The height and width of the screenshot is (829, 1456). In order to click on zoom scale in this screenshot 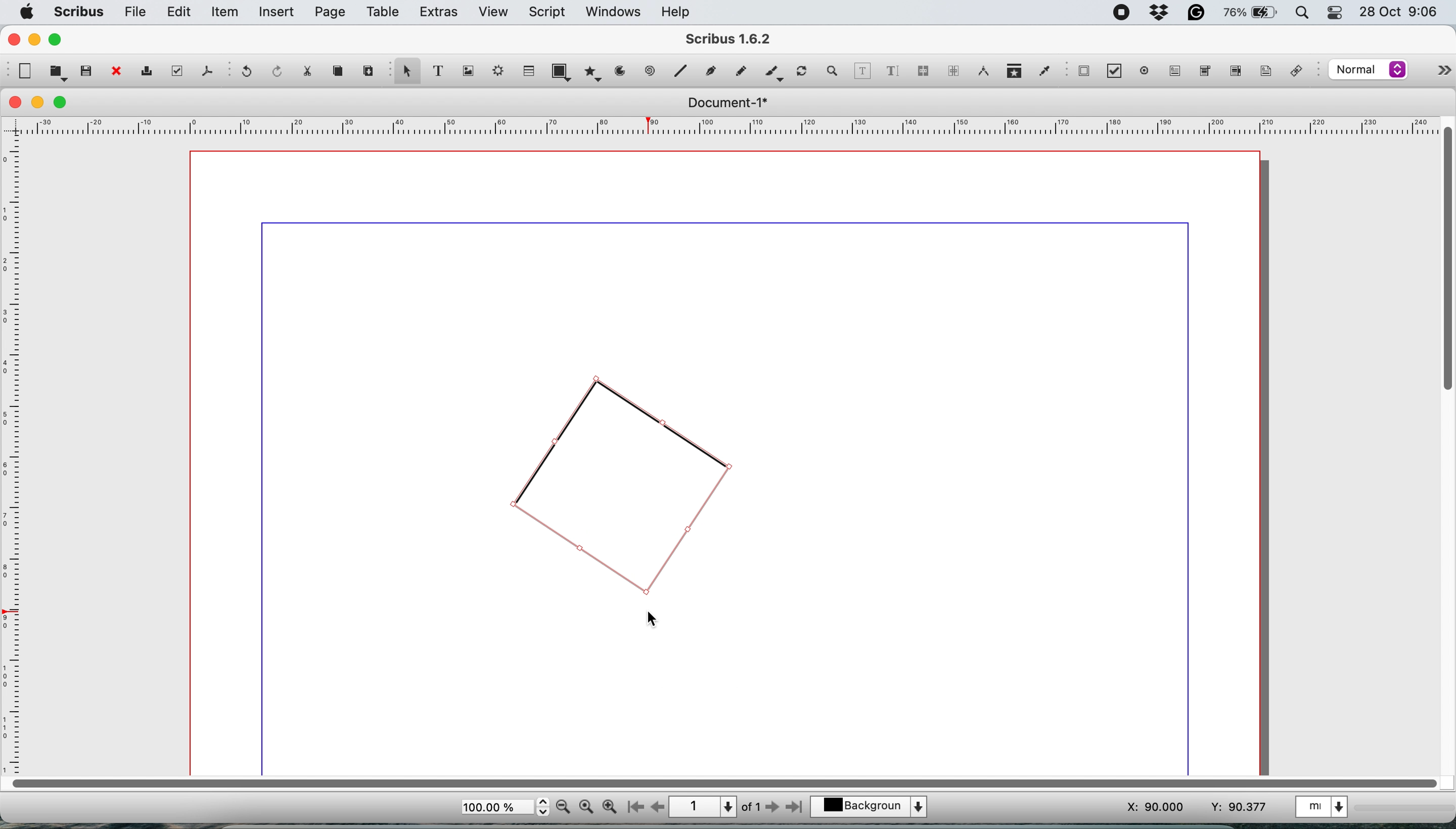, I will do `click(504, 807)`.